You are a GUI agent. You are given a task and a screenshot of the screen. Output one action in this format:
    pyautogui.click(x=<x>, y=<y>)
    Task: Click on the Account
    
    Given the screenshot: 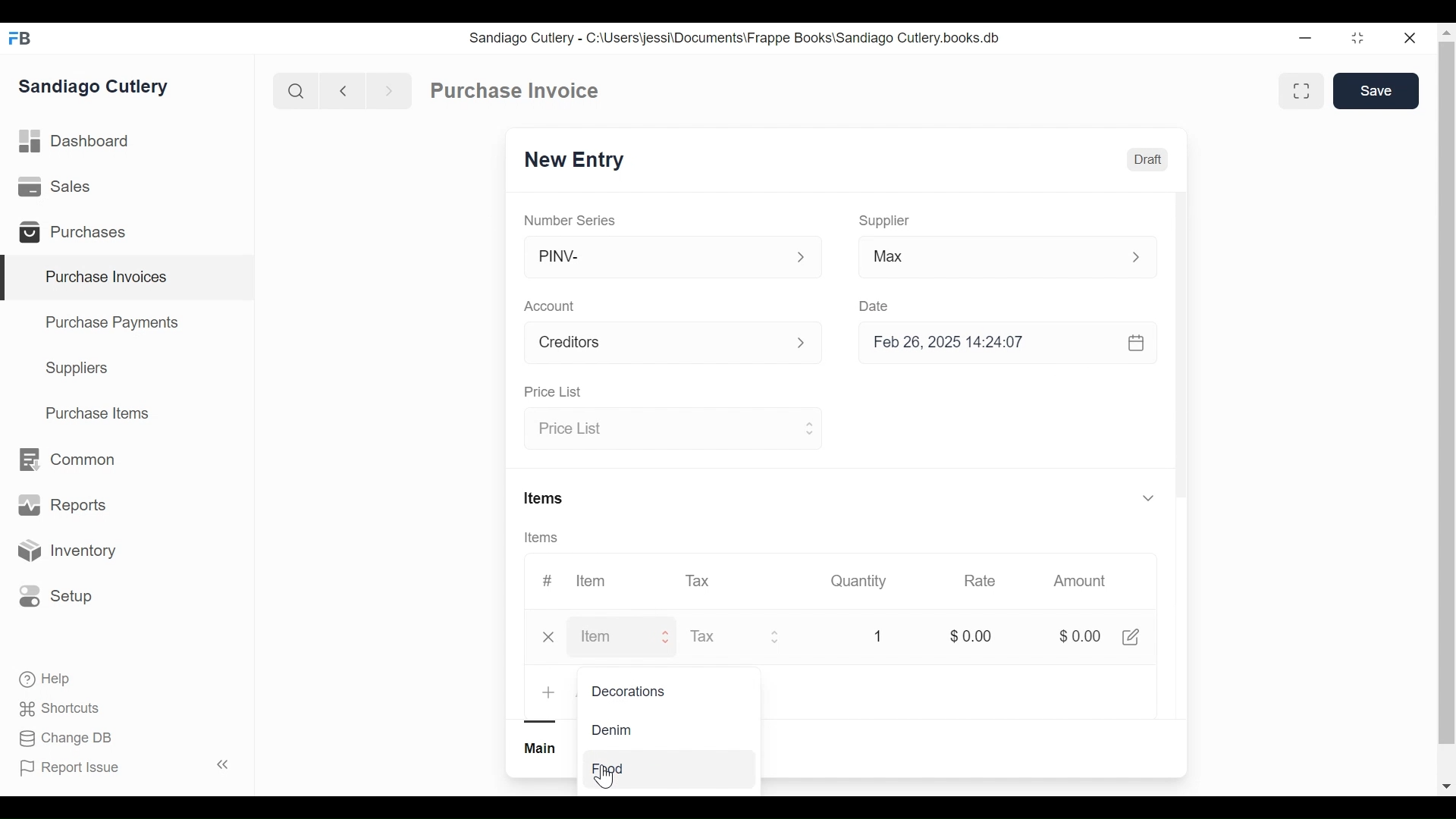 What is the action you would take?
    pyautogui.click(x=658, y=345)
    